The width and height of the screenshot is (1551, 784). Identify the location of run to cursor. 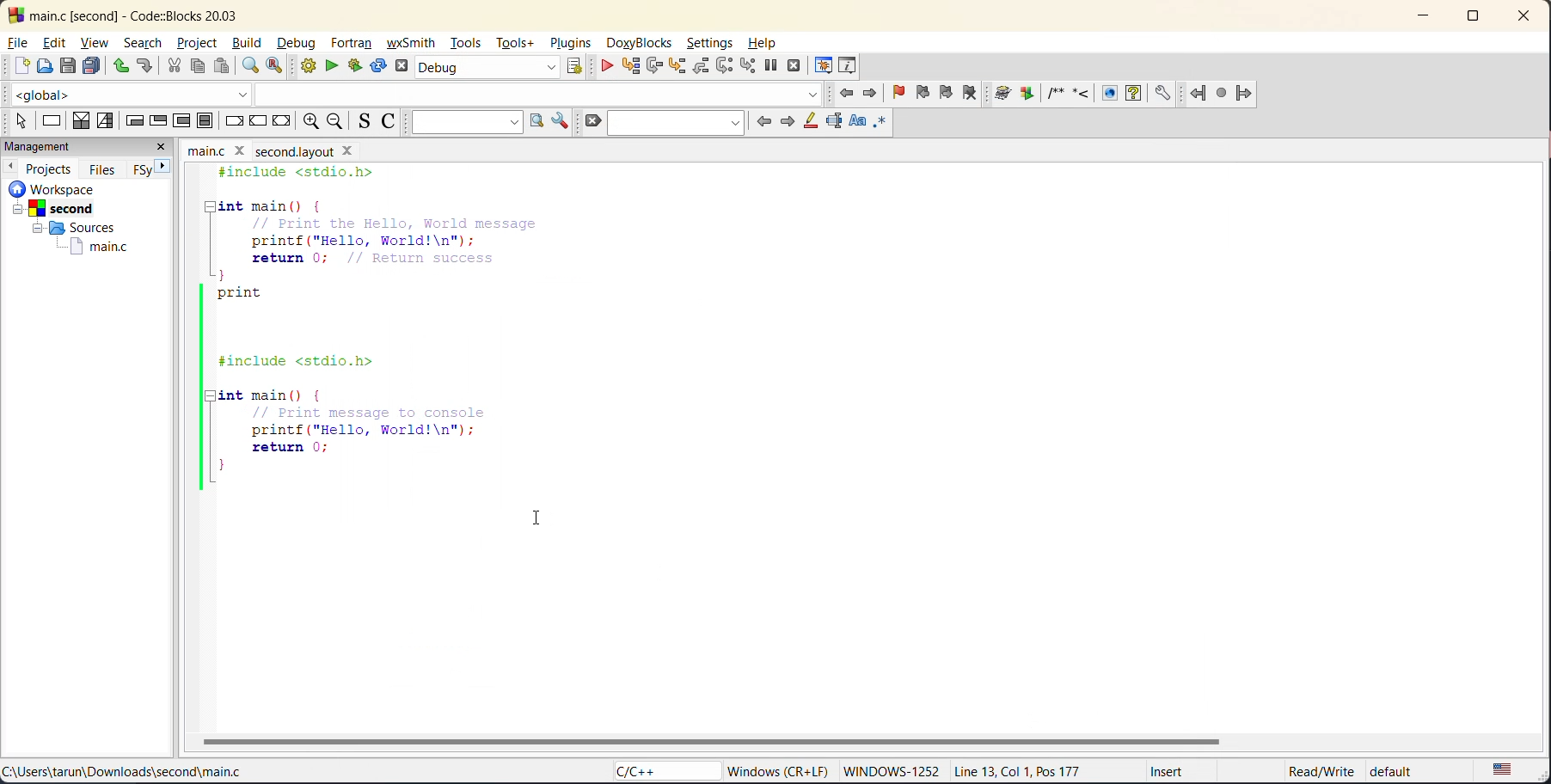
(629, 65).